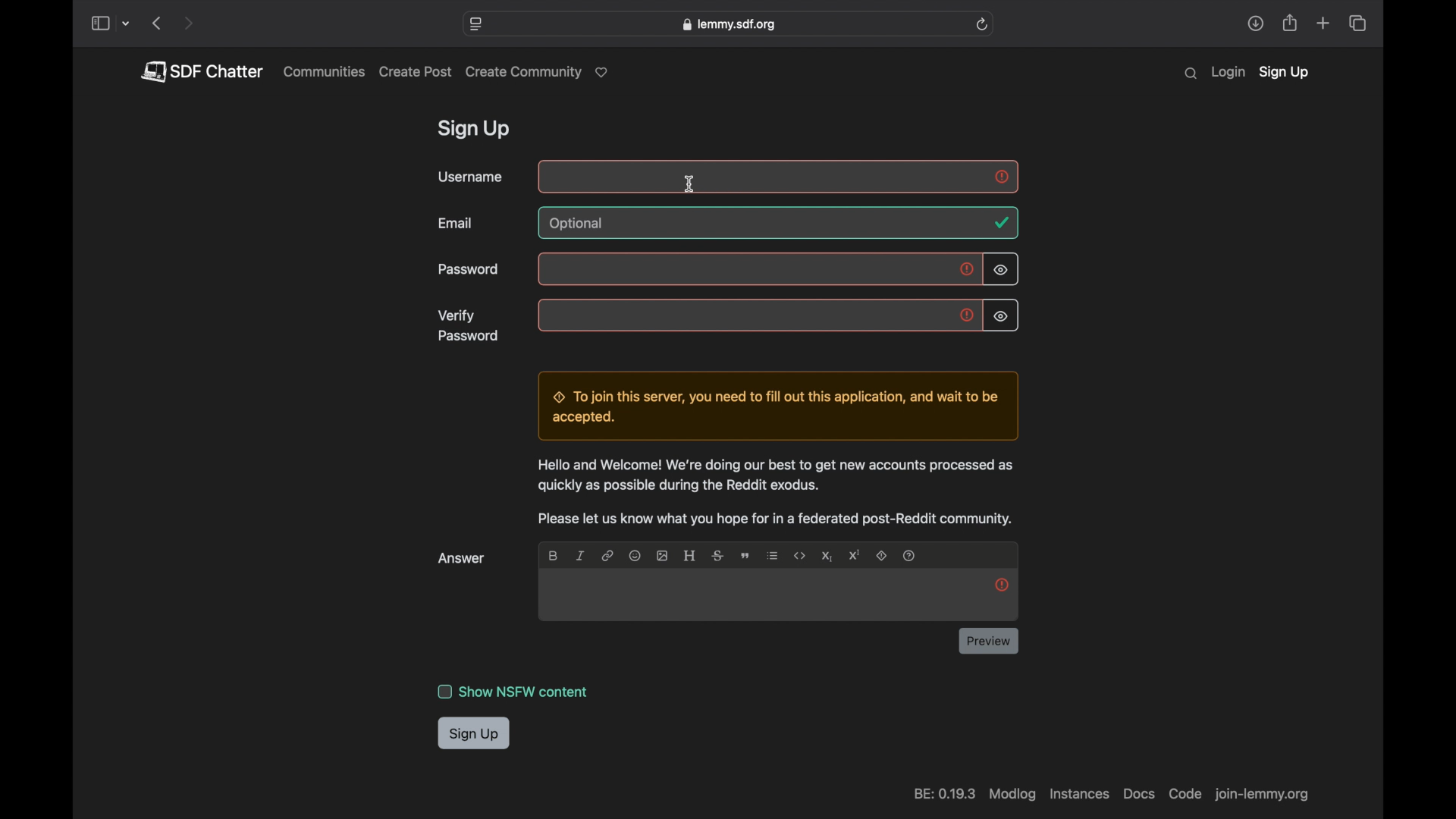 The image size is (1456, 819). I want to click on share, so click(1291, 24).